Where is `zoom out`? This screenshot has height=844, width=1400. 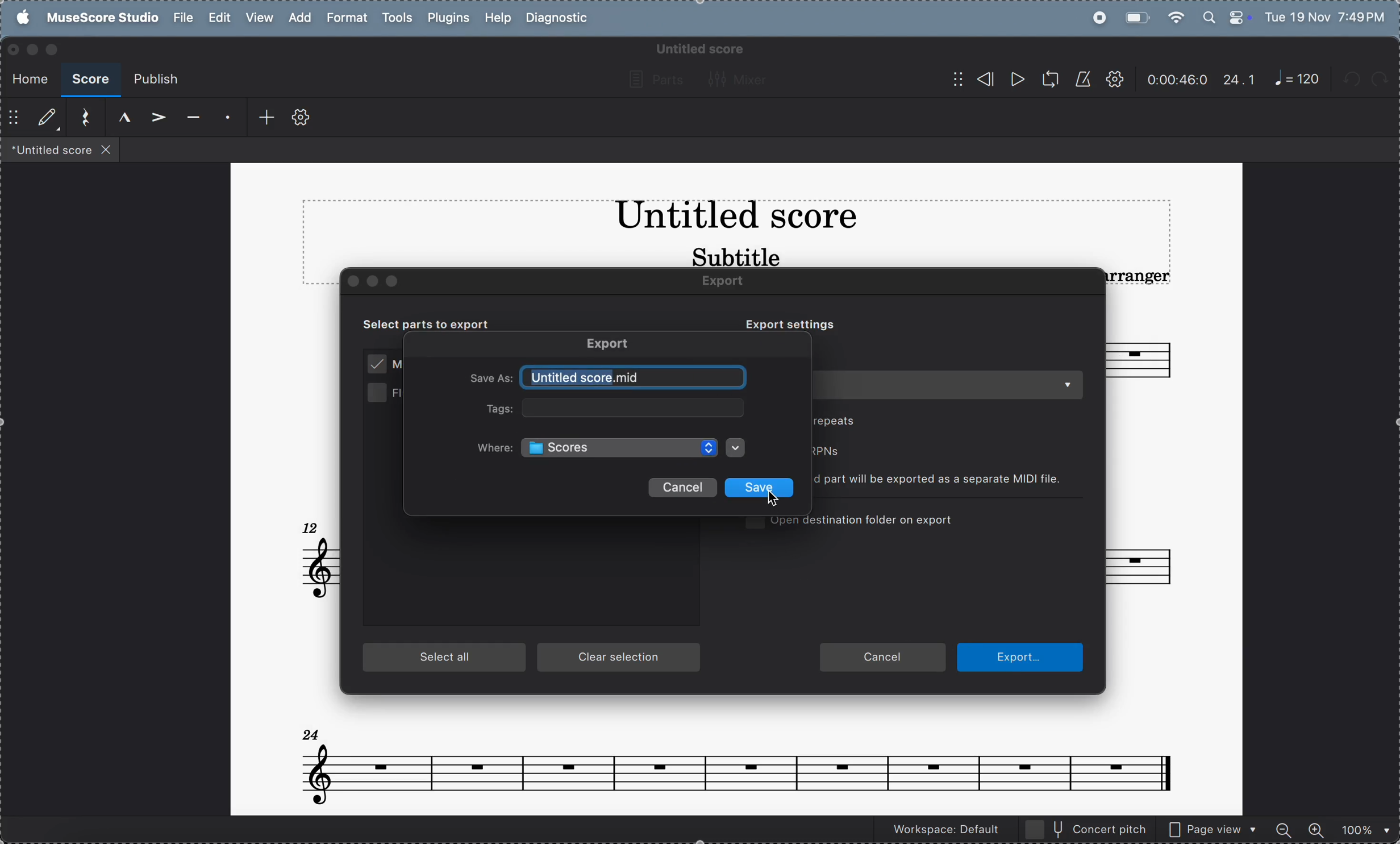 zoom out is located at coordinates (1285, 828).